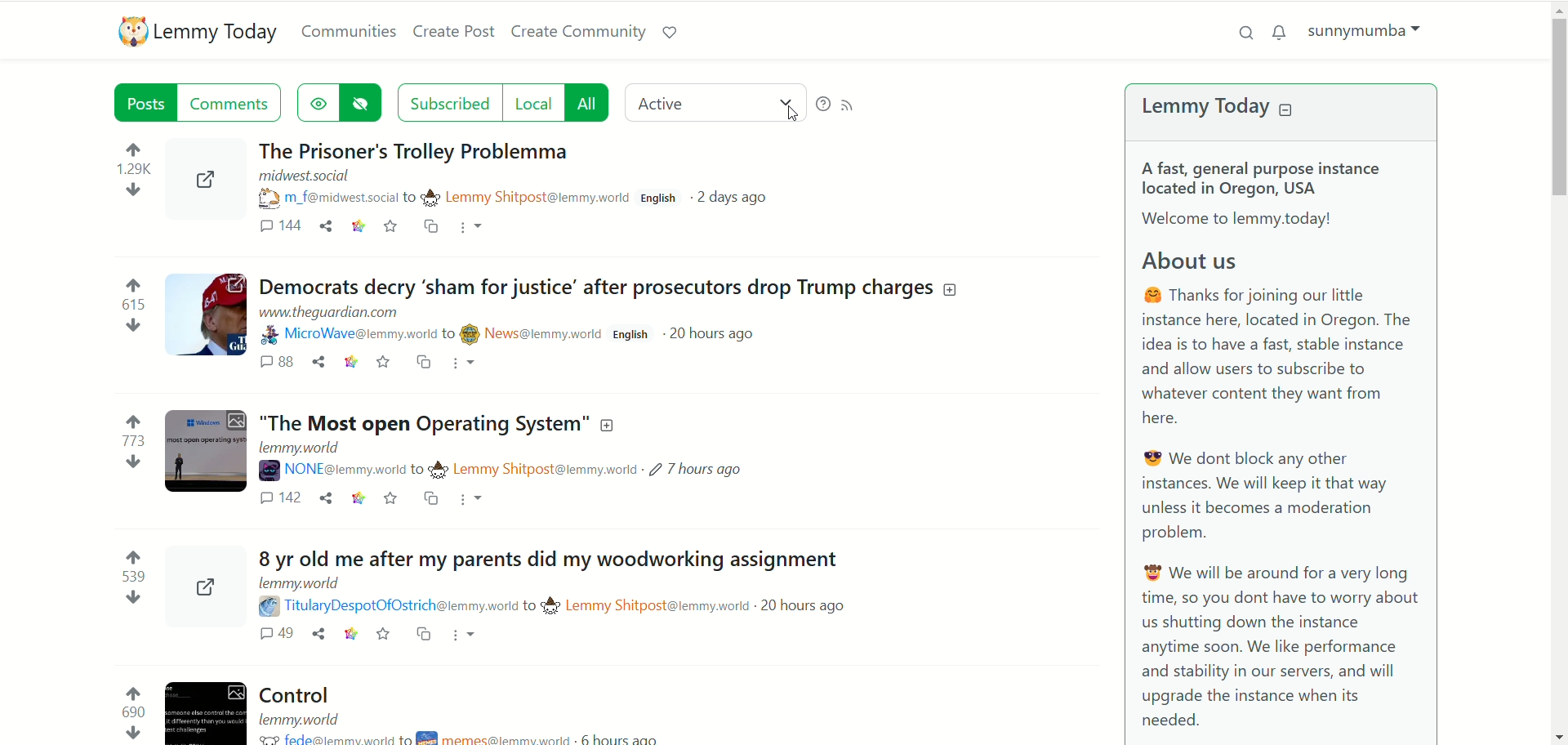 This screenshot has width=1568, height=745. What do you see at coordinates (305, 718) in the screenshot?
I see `lemmy.world` at bounding box center [305, 718].